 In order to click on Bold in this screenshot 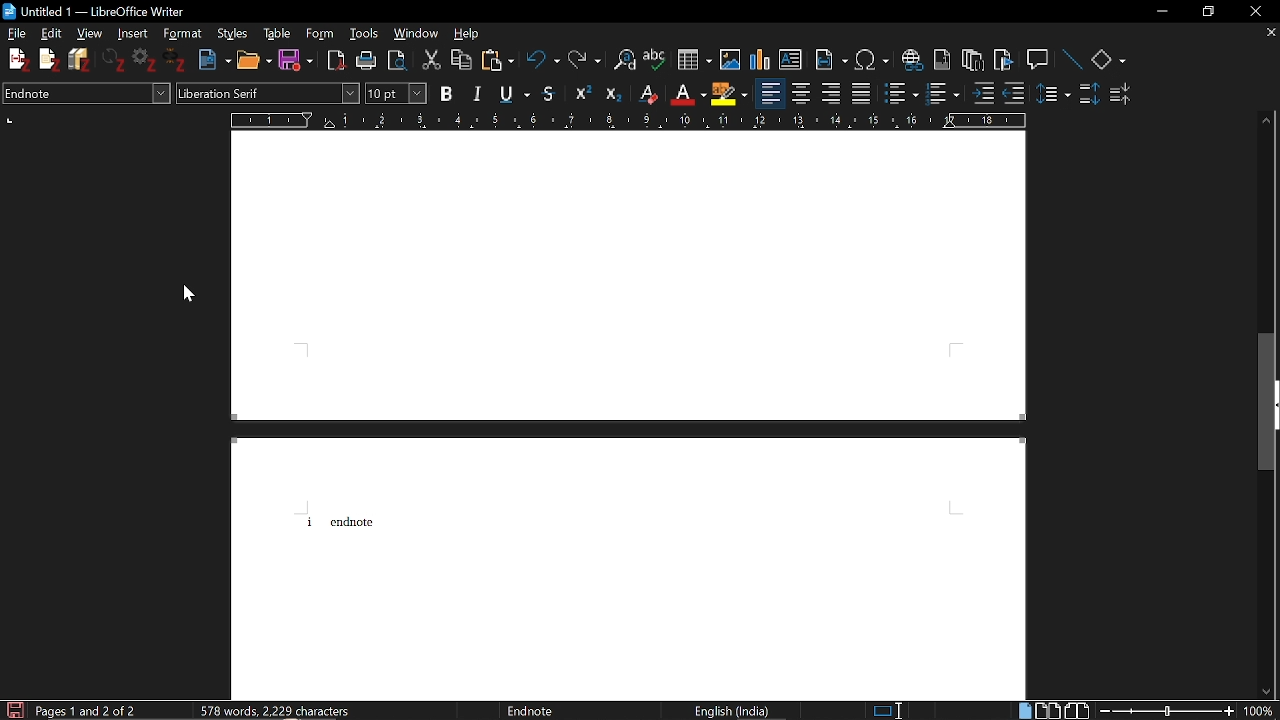, I will do `click(448, 93)`.